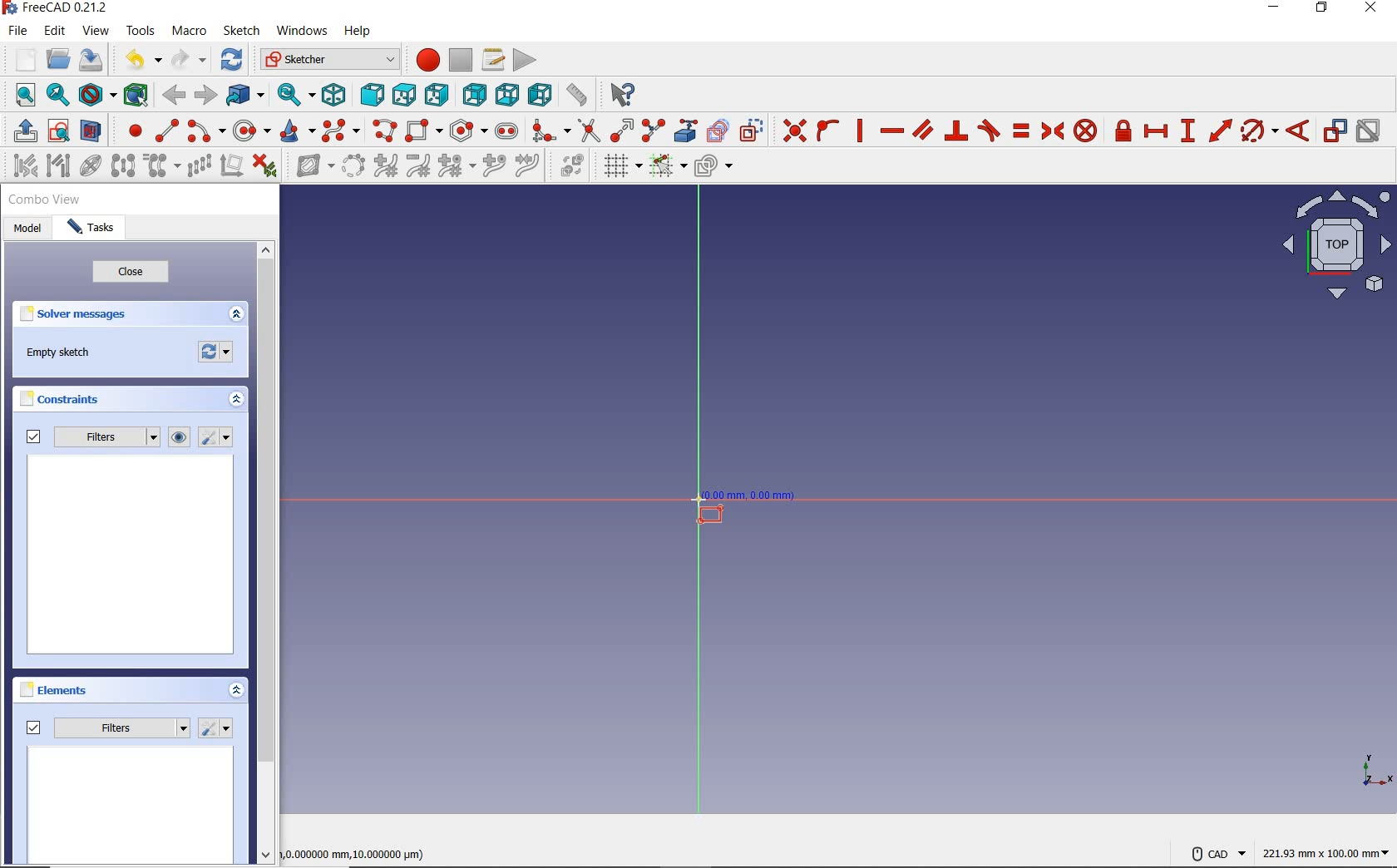 The image size is (1397, 868). What do you see at coordinates (426, 60) in the screenshot?
I see `macro recording` at bounding box center [426, 60].